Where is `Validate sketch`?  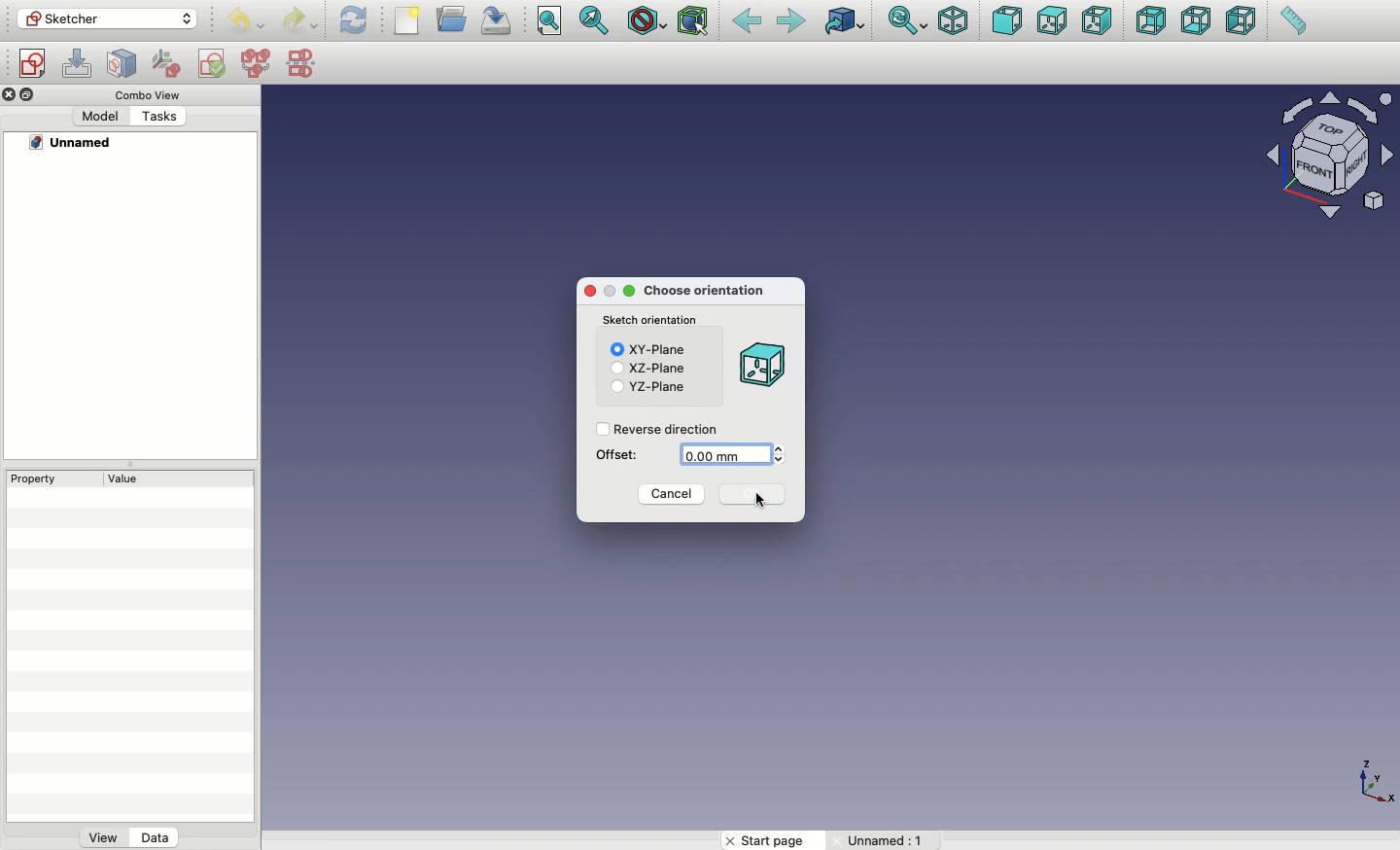 Validate sketch is located at coordinates (214, 63).